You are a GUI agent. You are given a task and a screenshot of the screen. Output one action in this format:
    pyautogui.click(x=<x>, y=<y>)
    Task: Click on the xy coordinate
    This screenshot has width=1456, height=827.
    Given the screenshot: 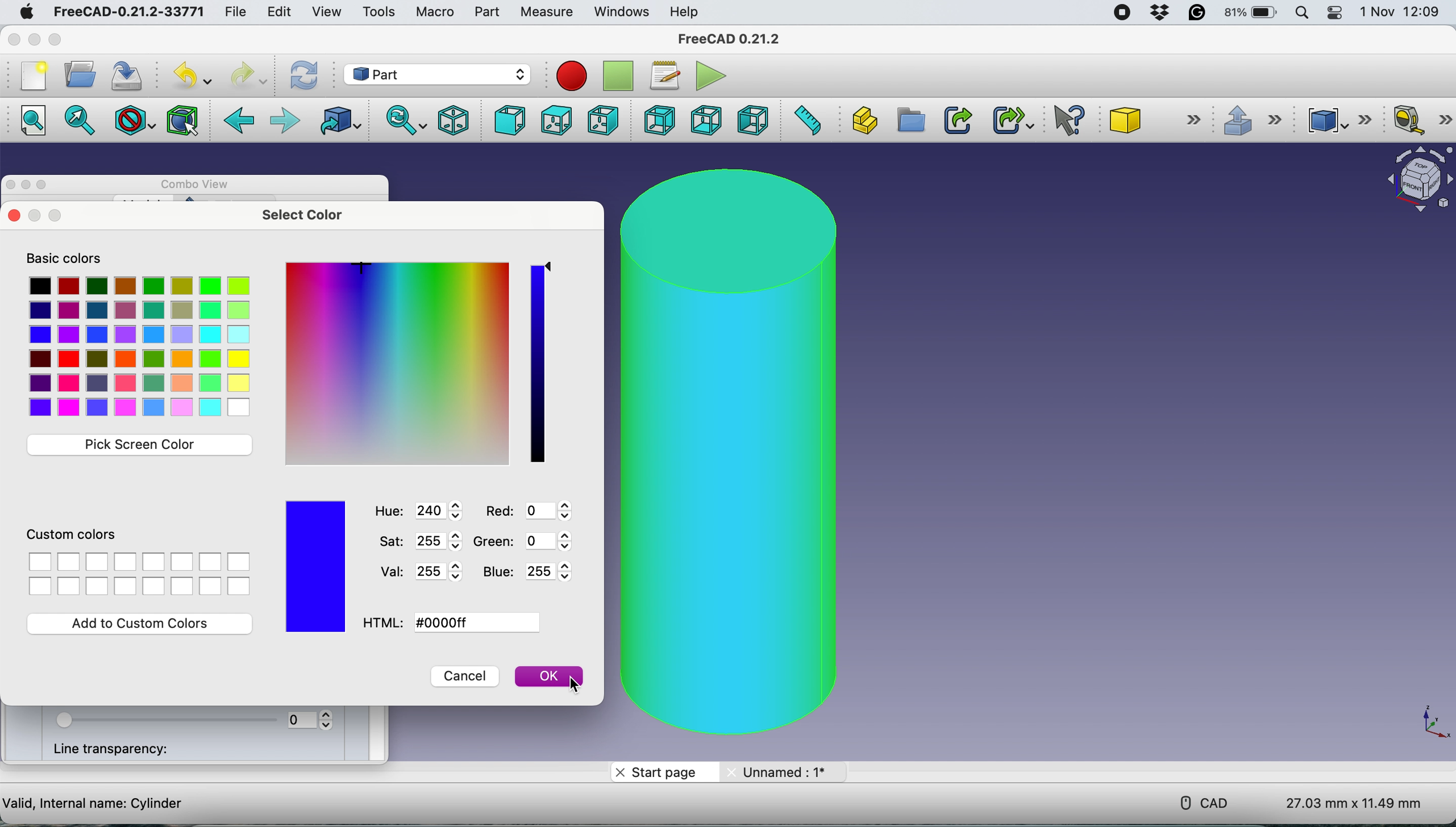 What is the action you would take?
    pyautogui.click(x=1432, y=721)
    